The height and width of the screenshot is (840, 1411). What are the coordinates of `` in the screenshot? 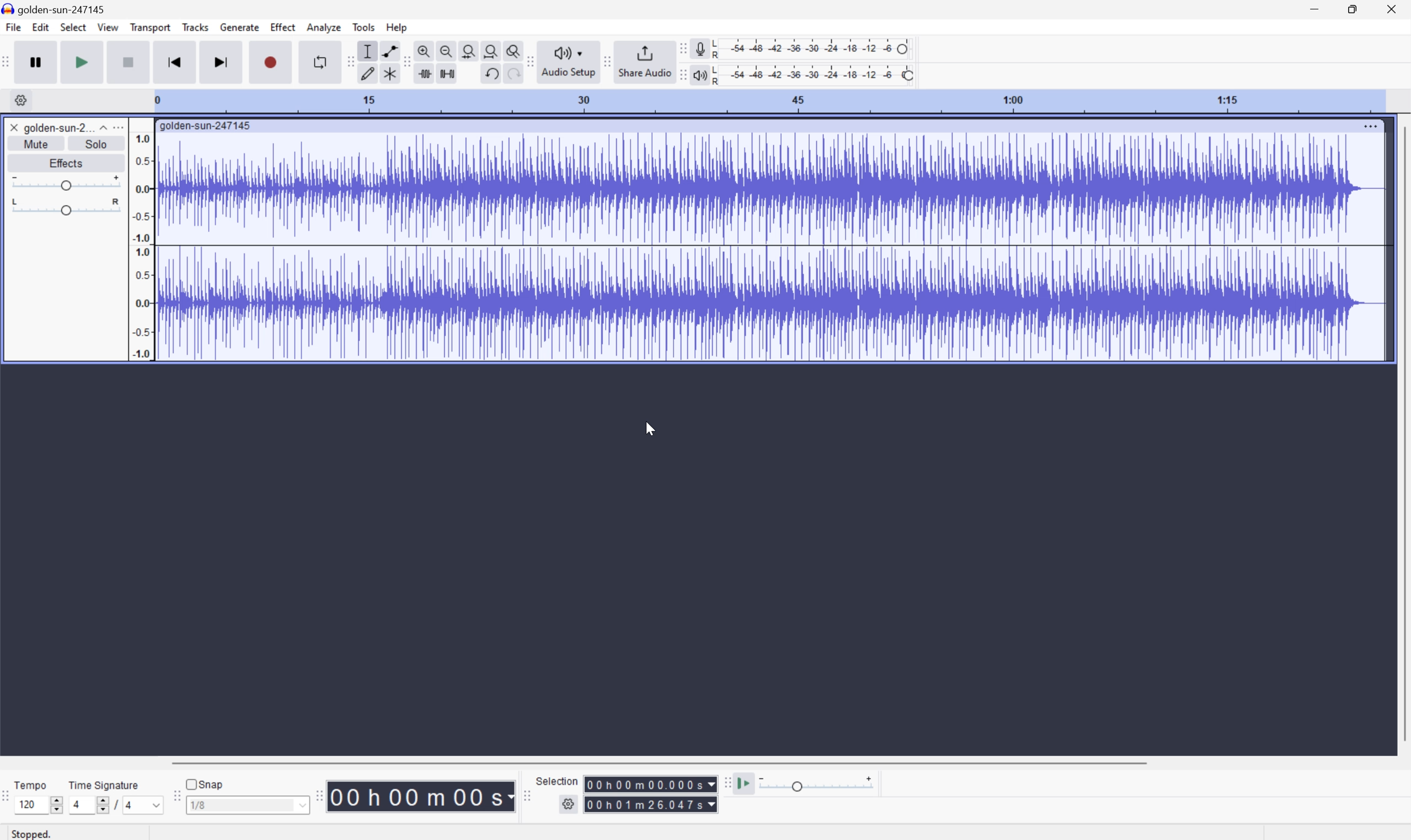 It's located at (650, 784).